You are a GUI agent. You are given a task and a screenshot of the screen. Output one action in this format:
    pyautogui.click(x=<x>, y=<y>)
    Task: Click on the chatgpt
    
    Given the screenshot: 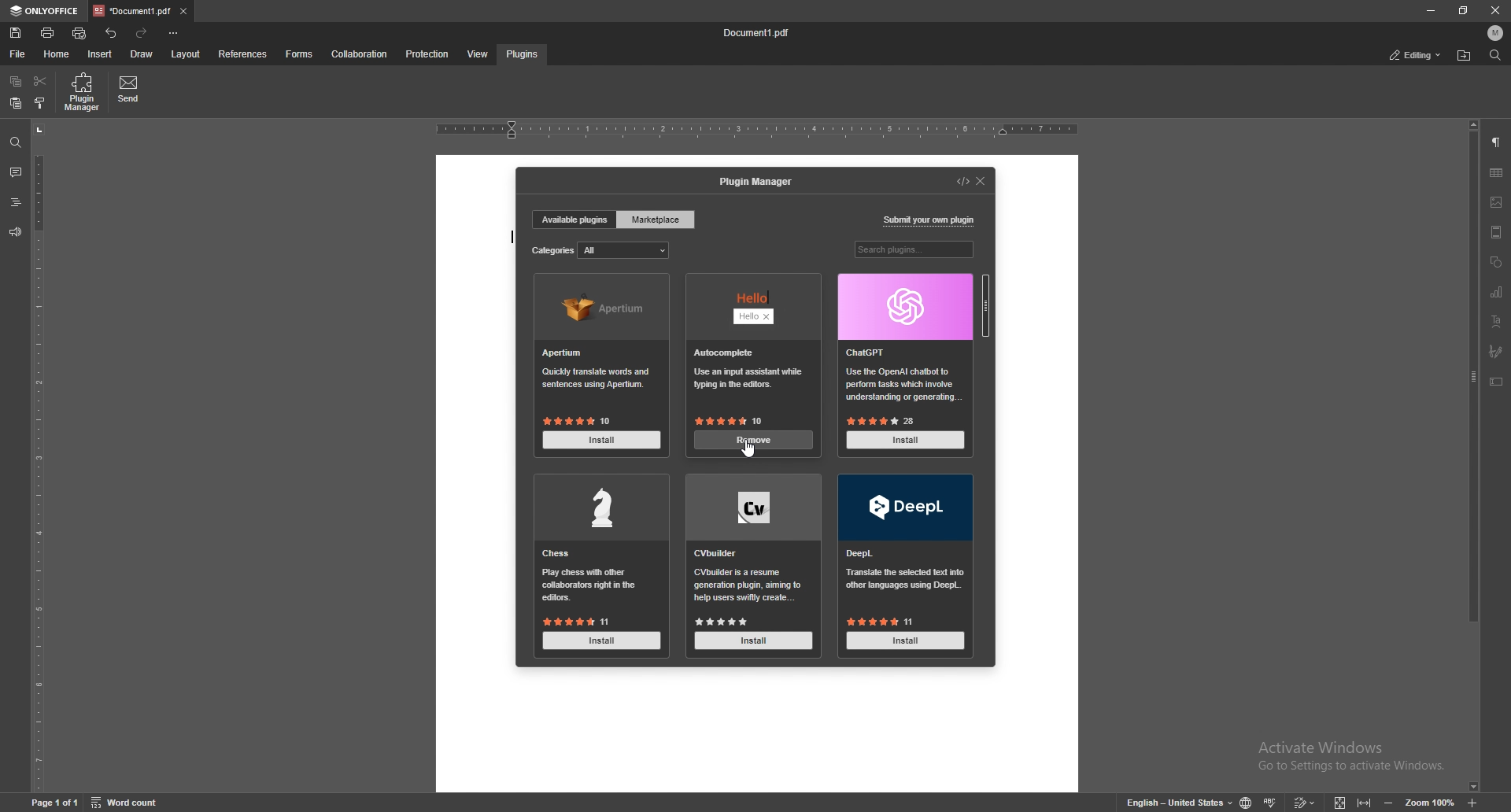 What is the action you would take?
    pyautogui.click(x=903, y=350)
    